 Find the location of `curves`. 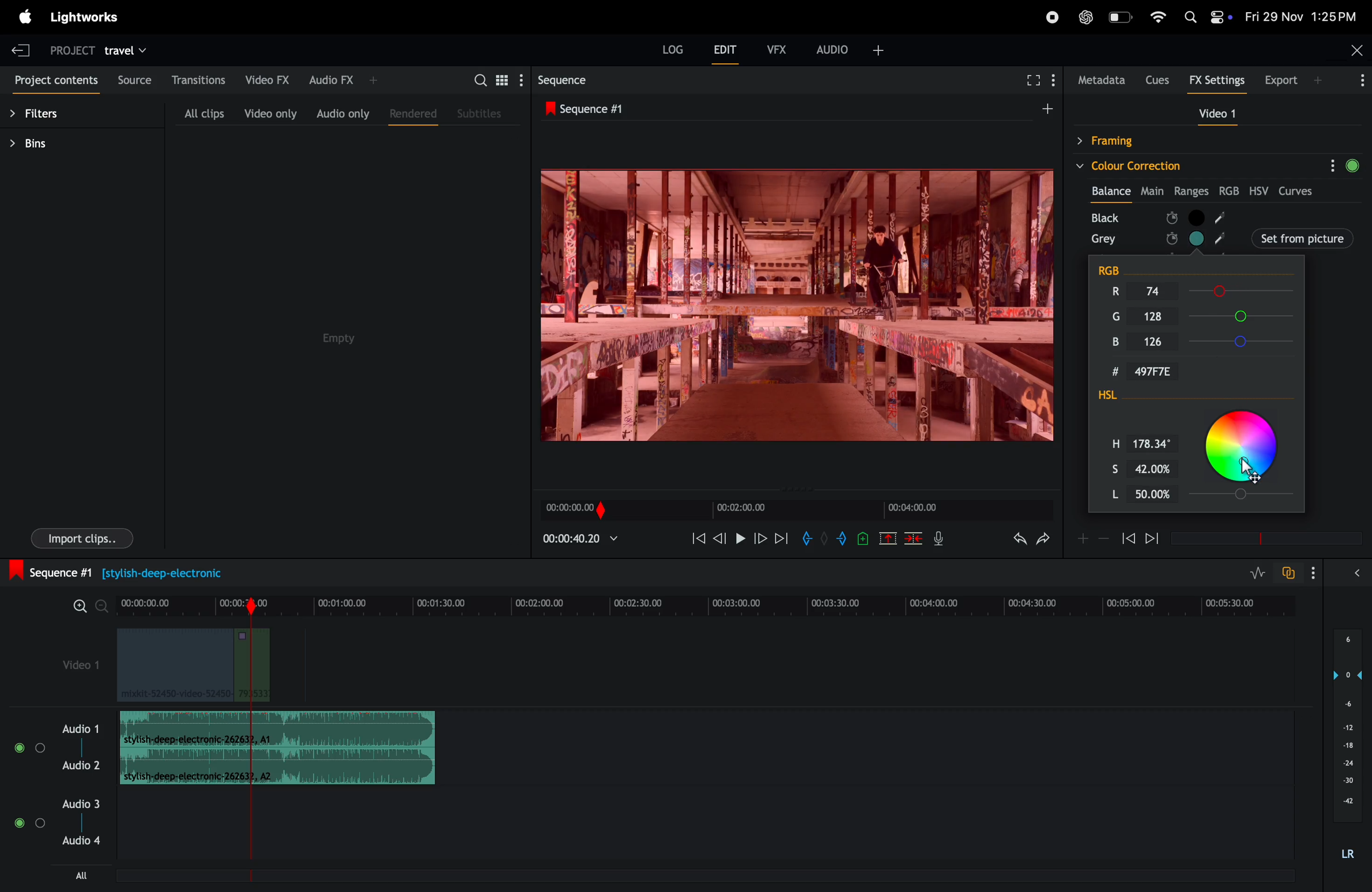

curves is located at coordinates (1299, 191).